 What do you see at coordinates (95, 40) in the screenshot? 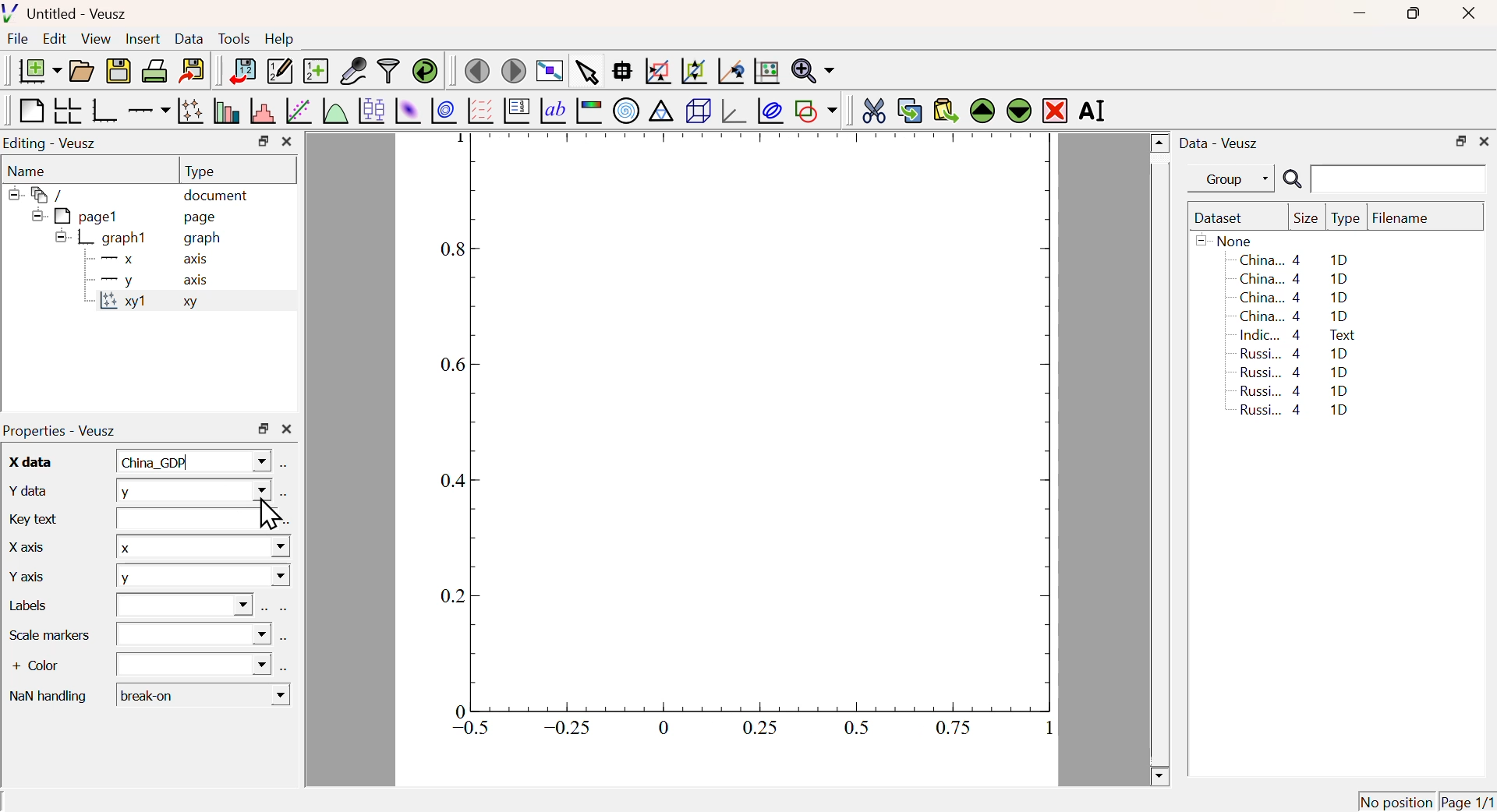
I see `View` at bounding box center [95, 40].